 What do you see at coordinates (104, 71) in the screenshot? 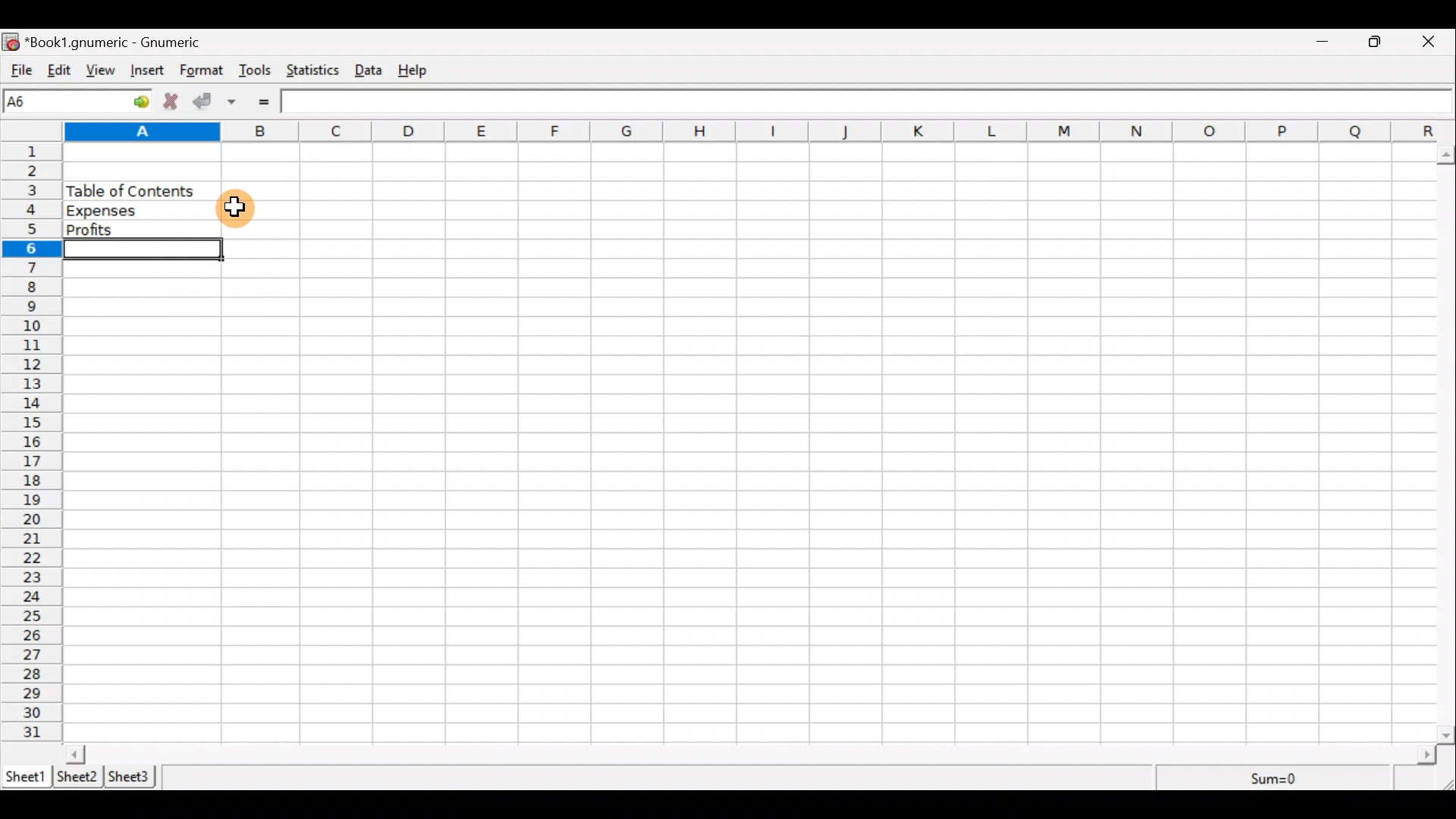
I see `View` at bounding box center [104, 71].